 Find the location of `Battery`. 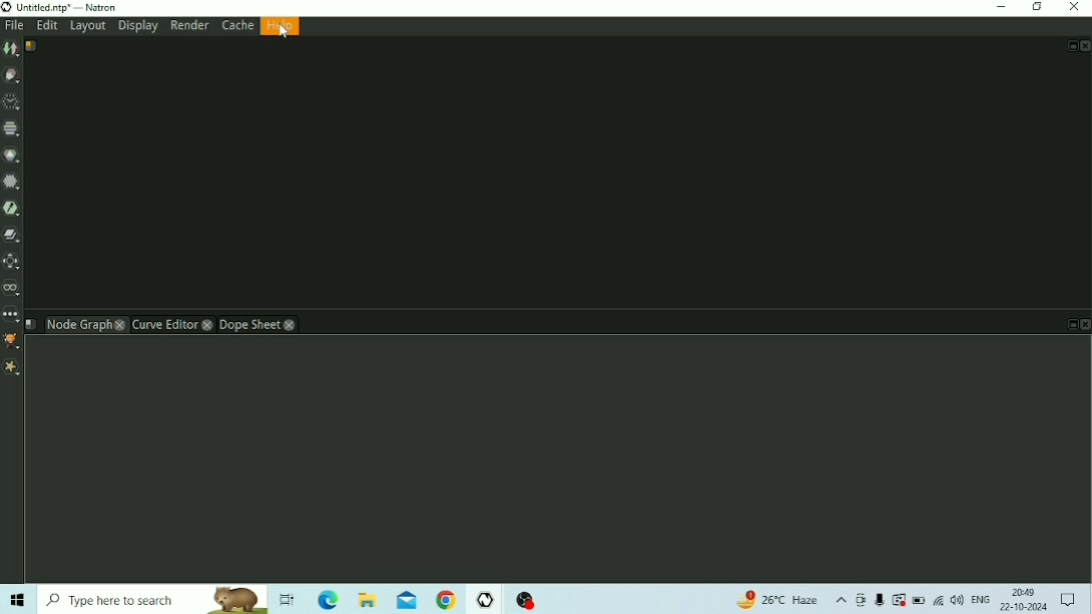

Battery is located at coordinates (918, 600).